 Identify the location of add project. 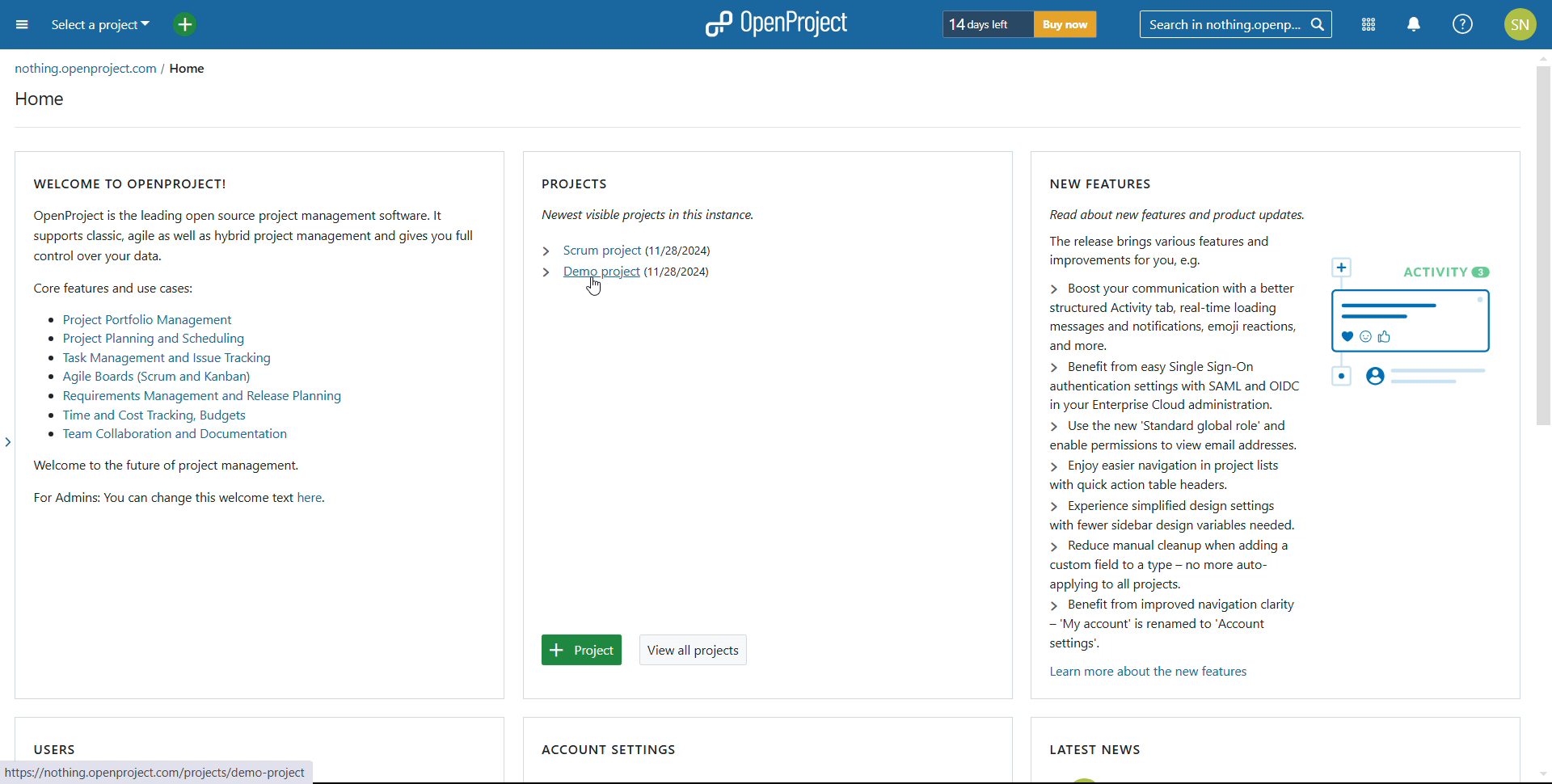
(581, 650).